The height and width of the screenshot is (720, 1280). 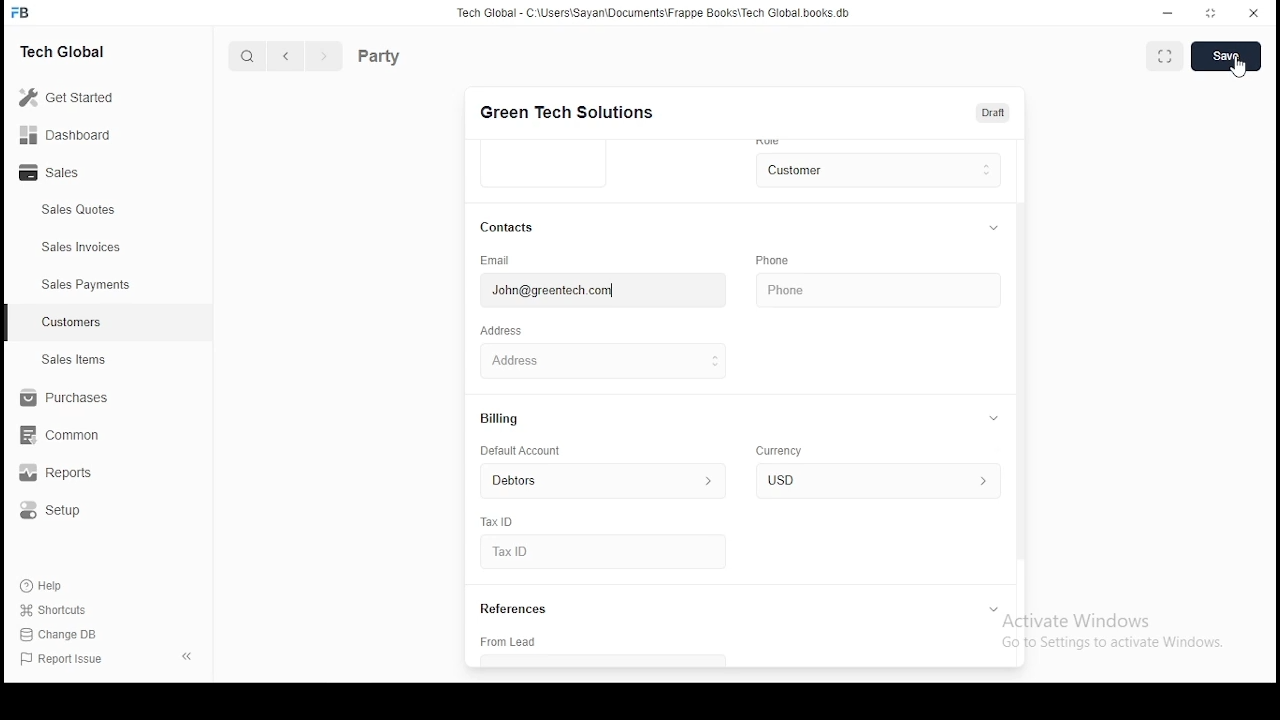 I want to click on get started, so click(x=69, y=97).